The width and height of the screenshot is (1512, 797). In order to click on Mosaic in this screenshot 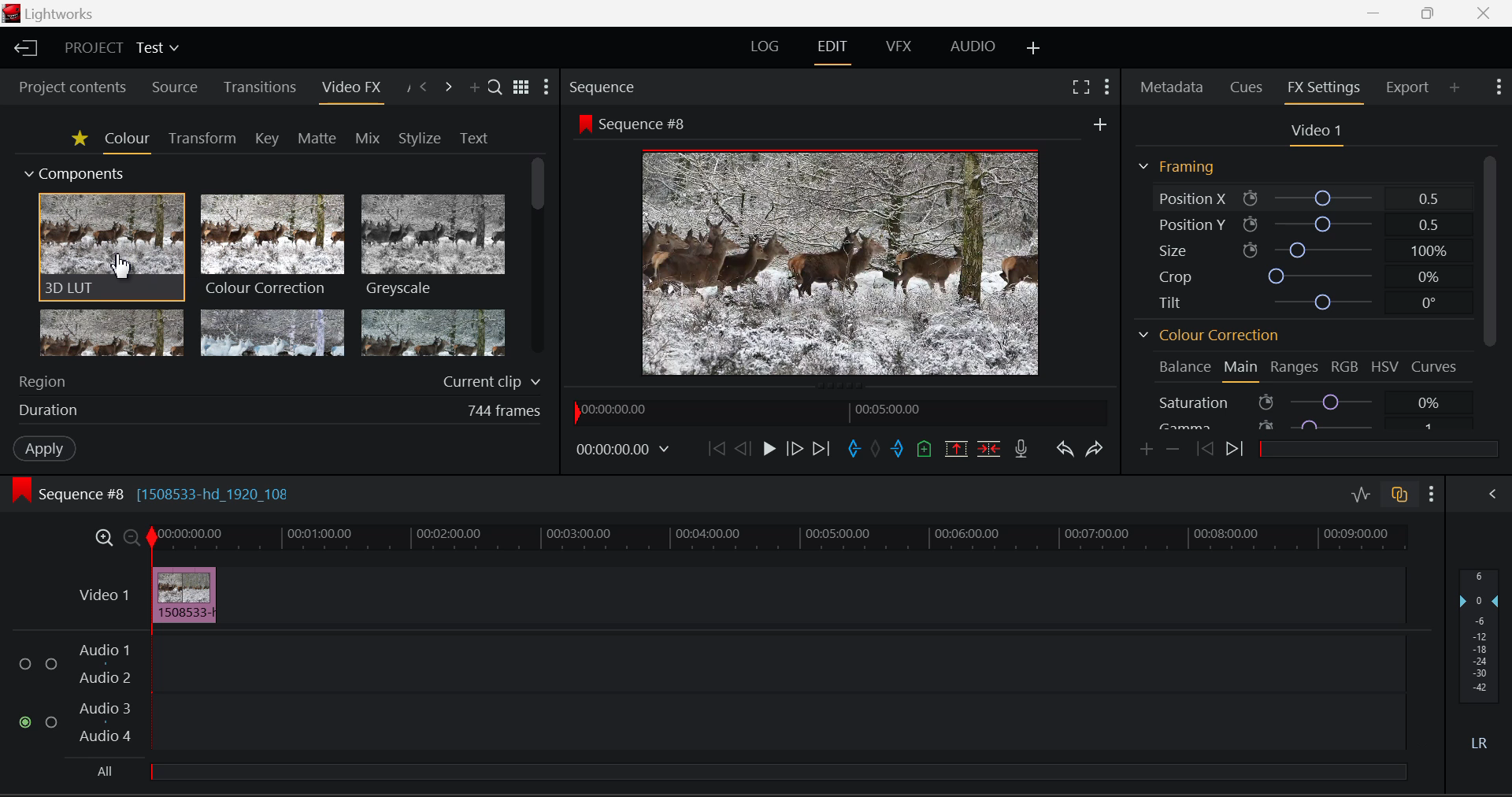, I will do `click(273, 334)`.